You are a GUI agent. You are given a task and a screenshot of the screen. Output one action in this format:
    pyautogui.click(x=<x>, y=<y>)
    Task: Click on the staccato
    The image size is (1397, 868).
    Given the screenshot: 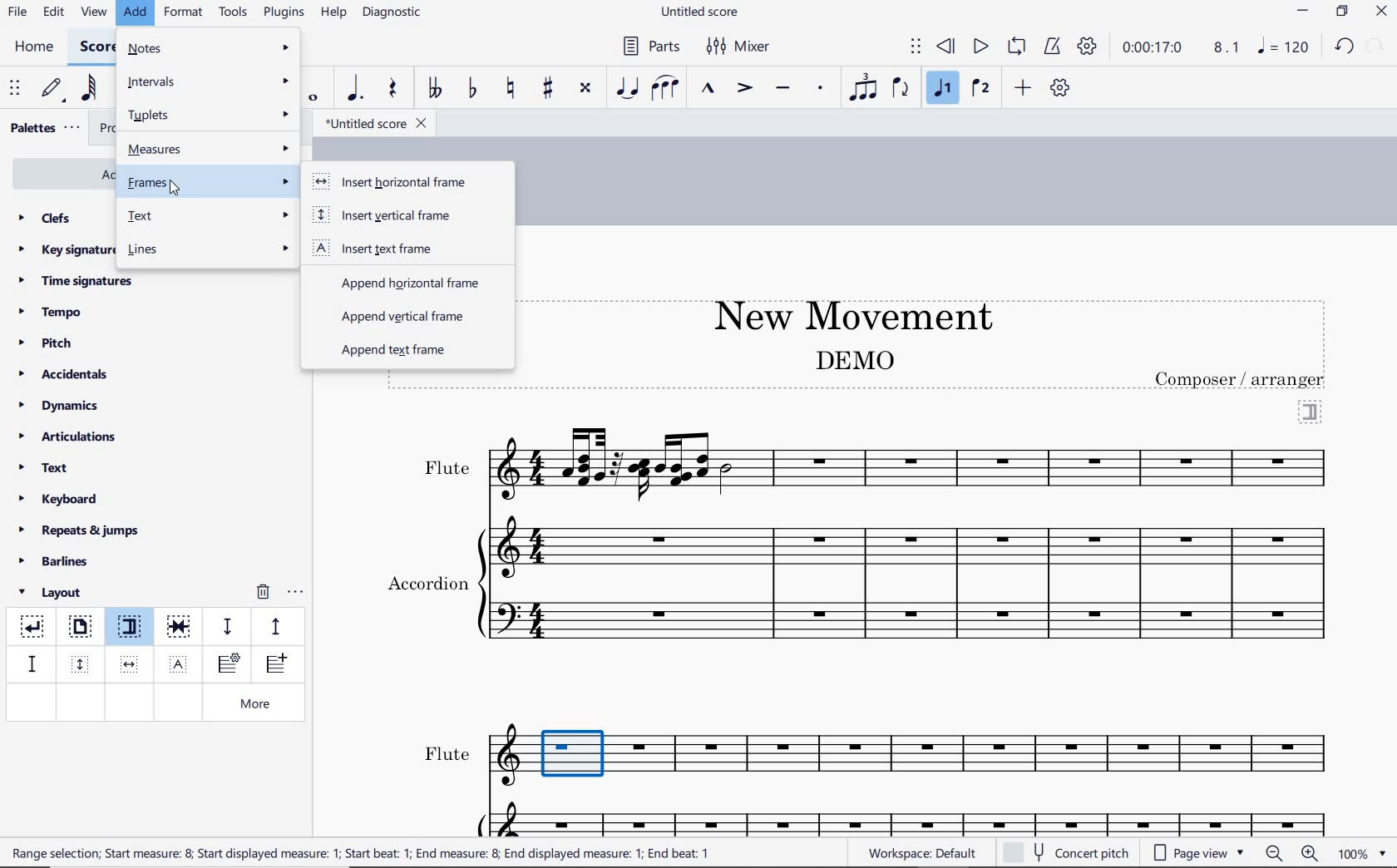 What is the action you would take?
    pyautogui.click(x=821, y=88)
    